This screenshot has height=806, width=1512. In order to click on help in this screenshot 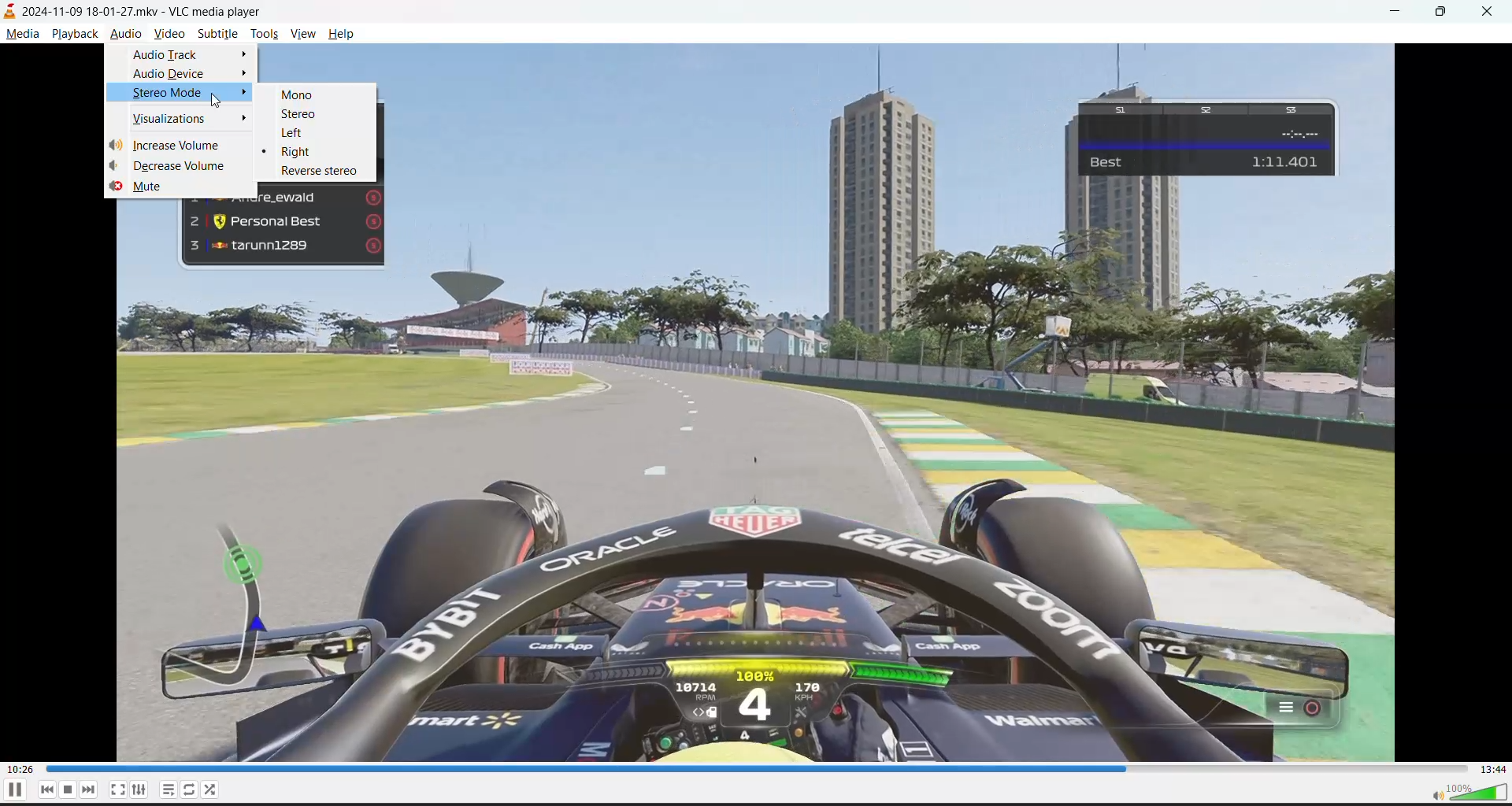, I will do `click(343, 33)`.